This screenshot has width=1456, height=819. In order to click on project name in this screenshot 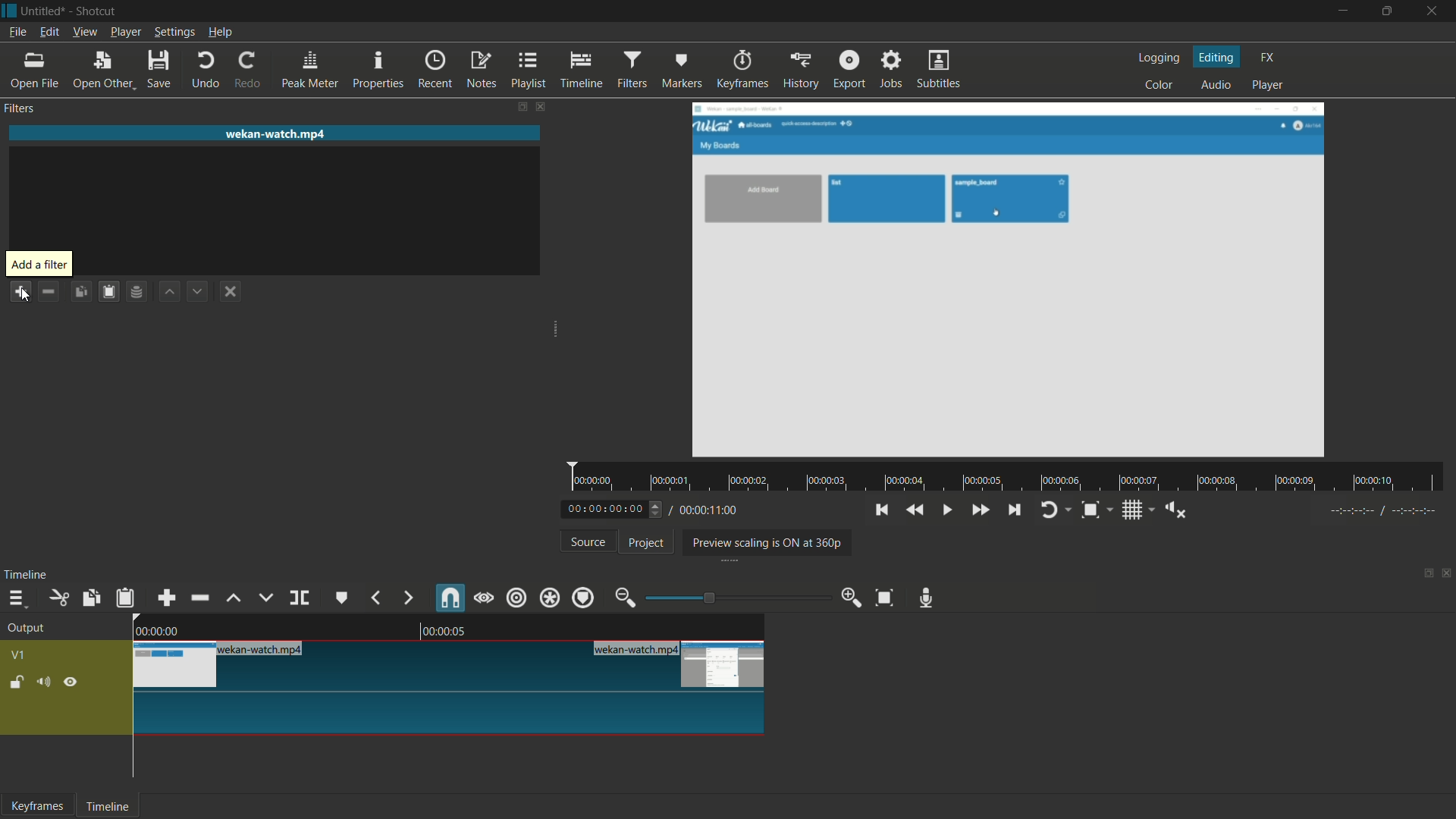, I will do `click(44, 11)`.